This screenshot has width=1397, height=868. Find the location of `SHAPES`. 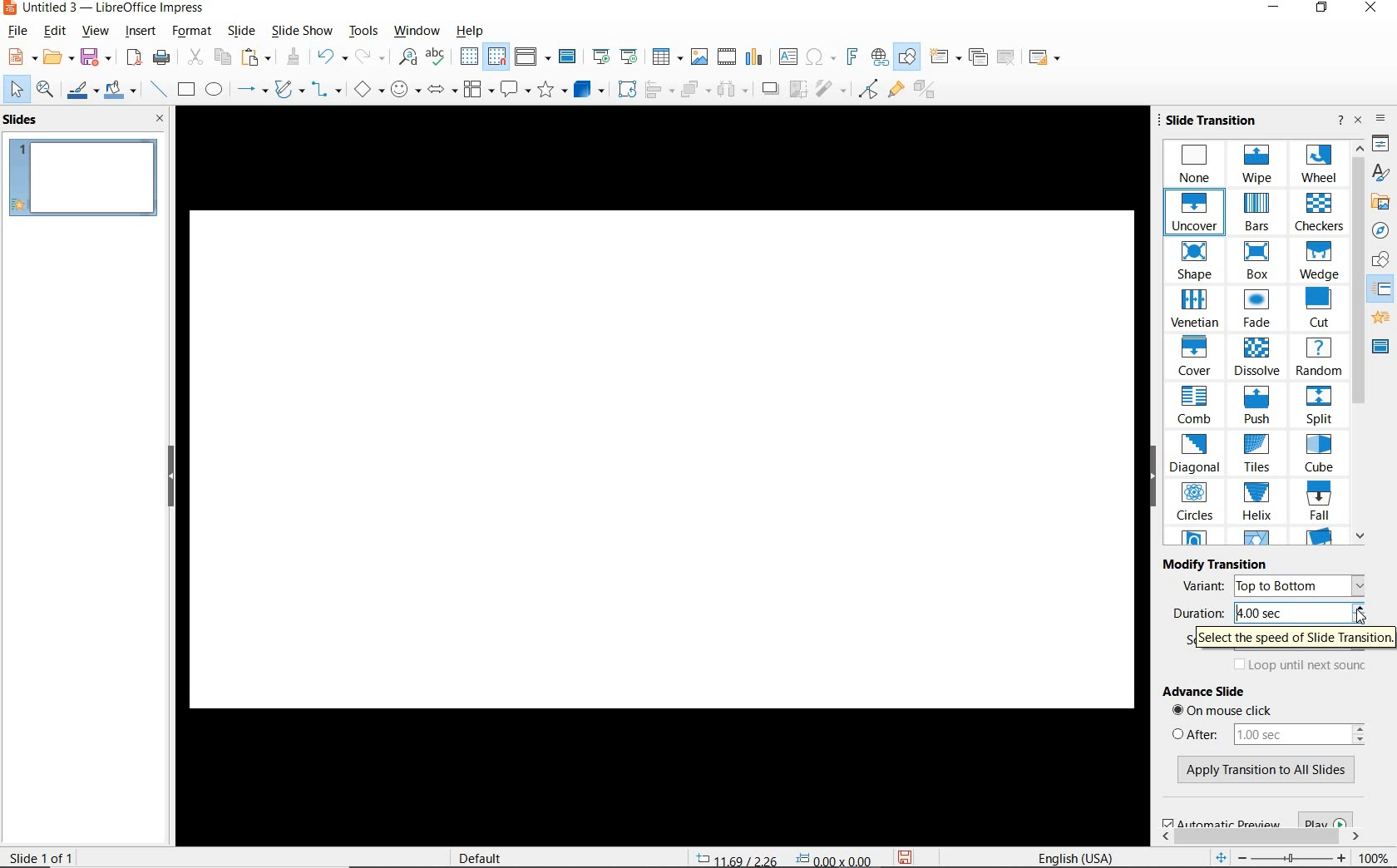

SHAPES is located at coordinates (1382, 261).